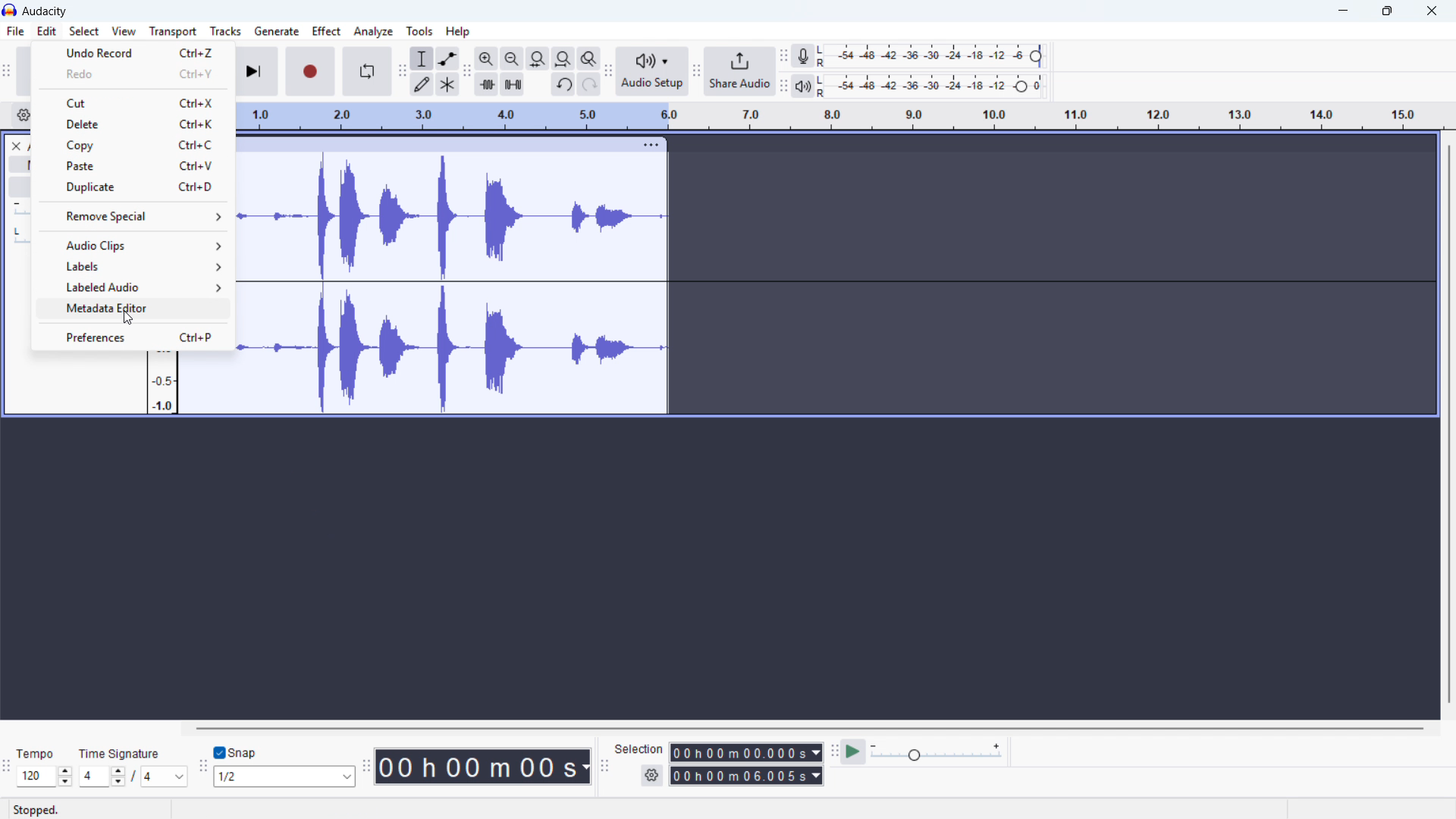 The width and height of the screenshot is (1456, 819). What do you see at coordinates (284, 777) in the screenshot?
I see `set snapping` at bounding box center [284, 777].